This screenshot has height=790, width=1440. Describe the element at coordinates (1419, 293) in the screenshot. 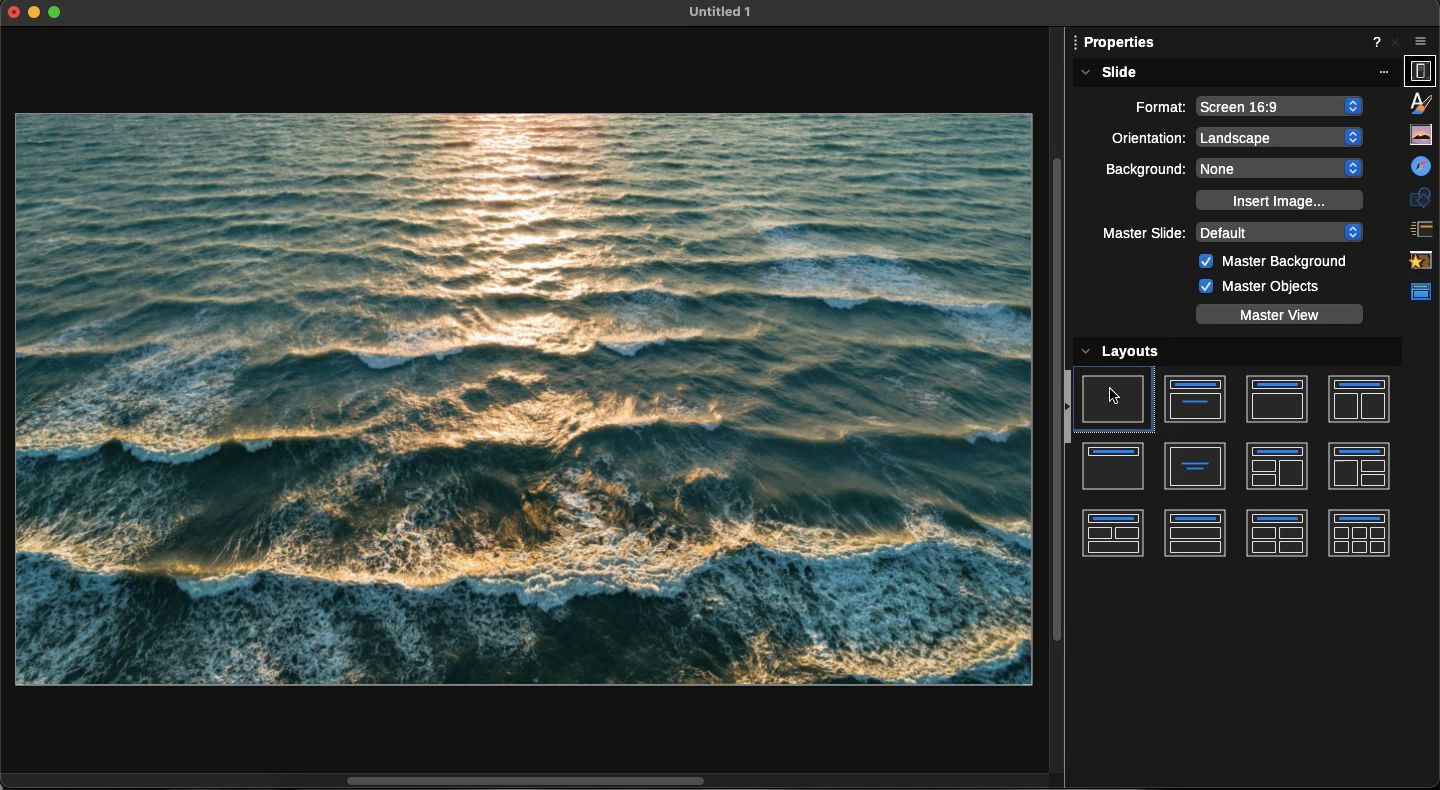

I see `Master slides` at that location.